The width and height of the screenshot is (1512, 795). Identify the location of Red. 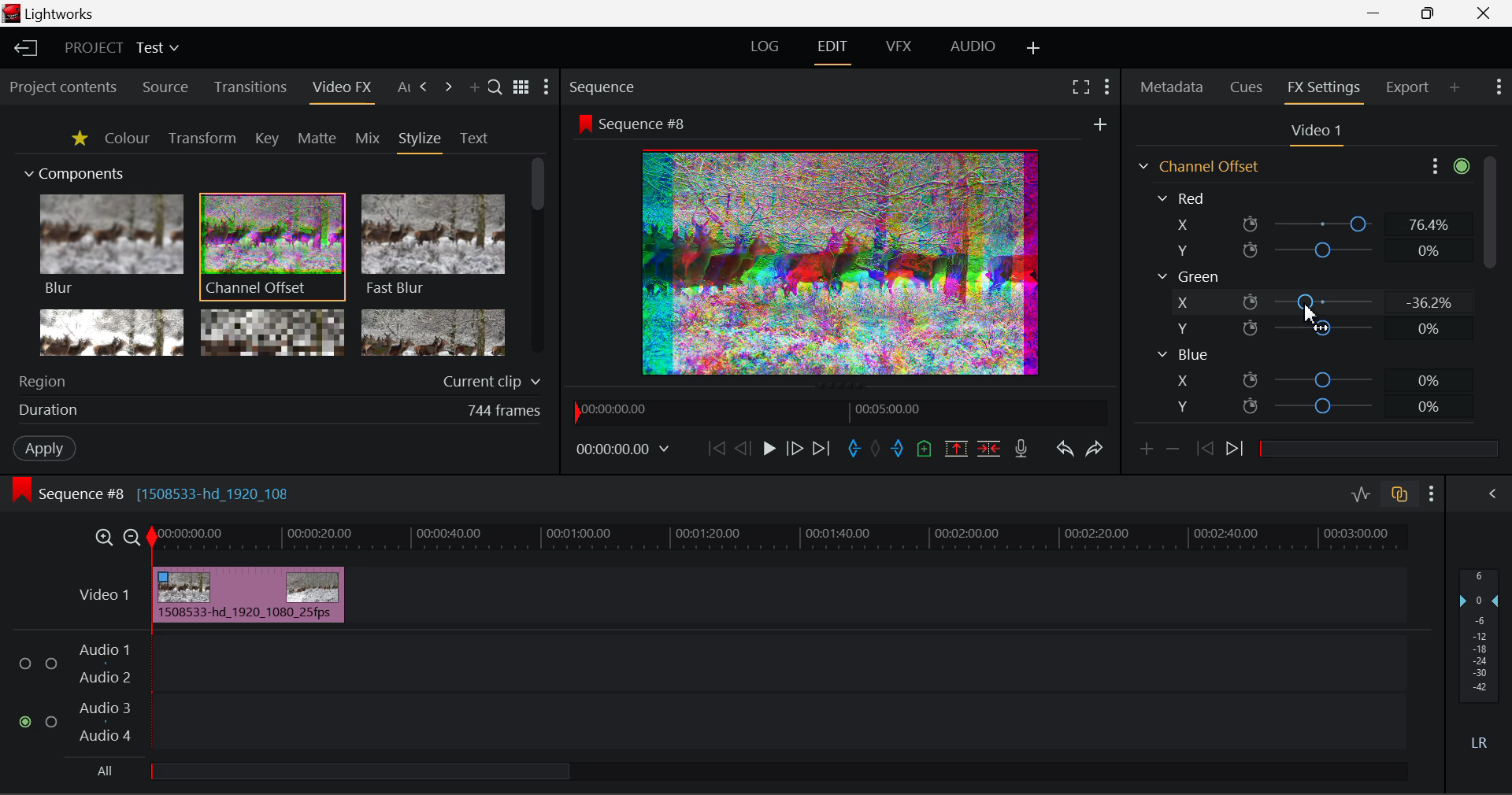
(1184, 197).